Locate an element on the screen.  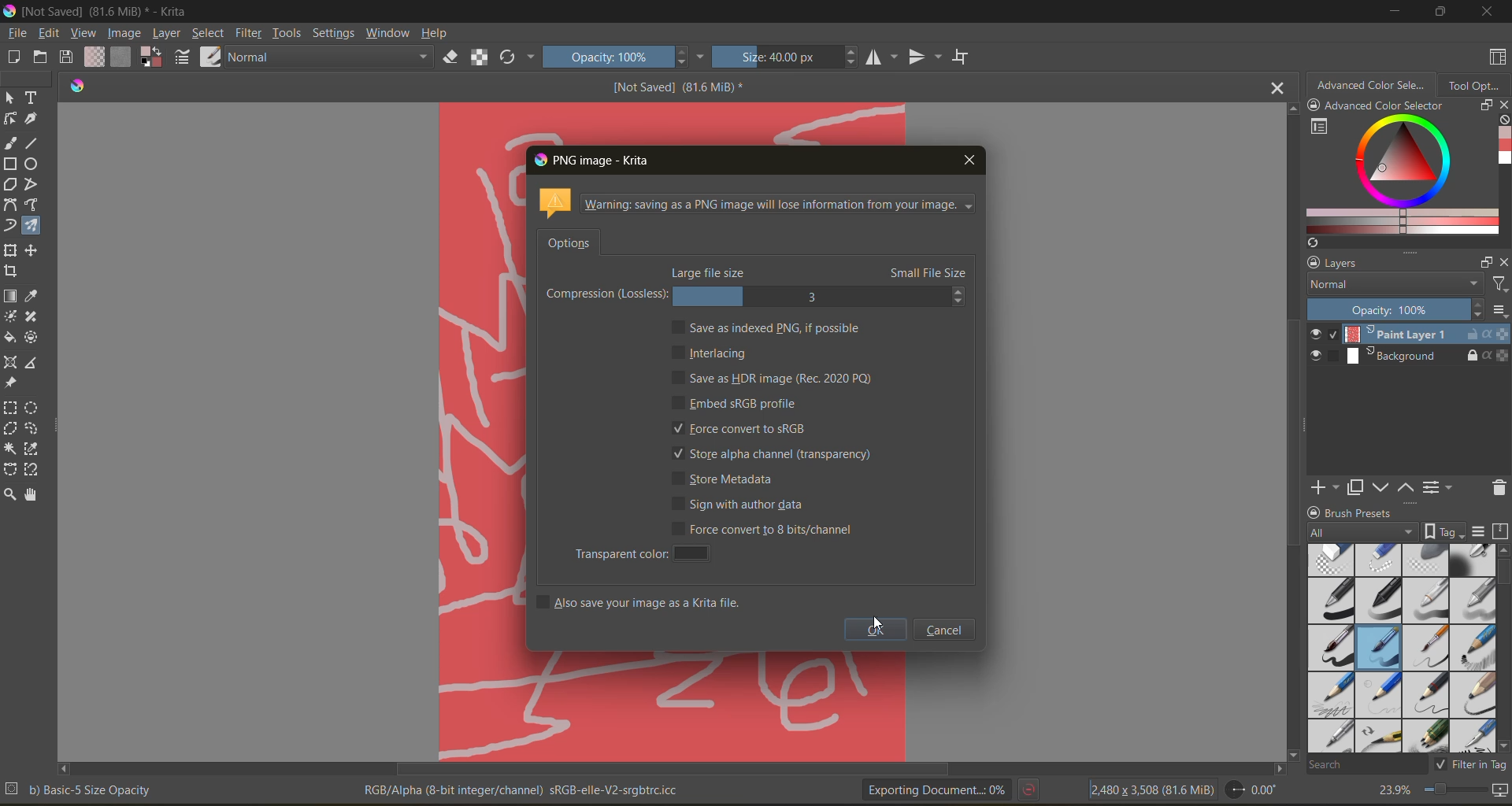
open is located at coordinates (43, 57).